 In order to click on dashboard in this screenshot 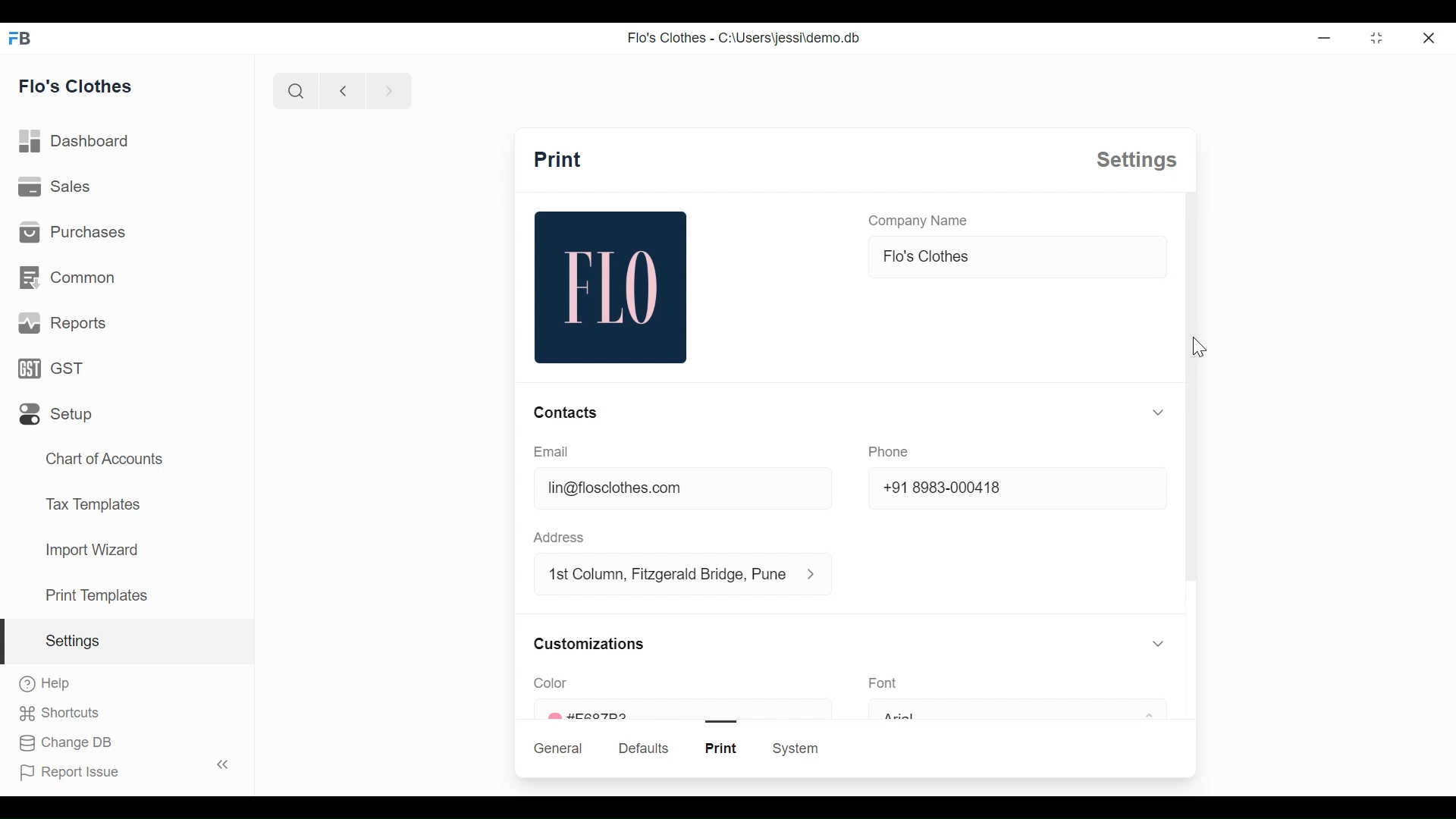, I will do `click(75, 141)`.